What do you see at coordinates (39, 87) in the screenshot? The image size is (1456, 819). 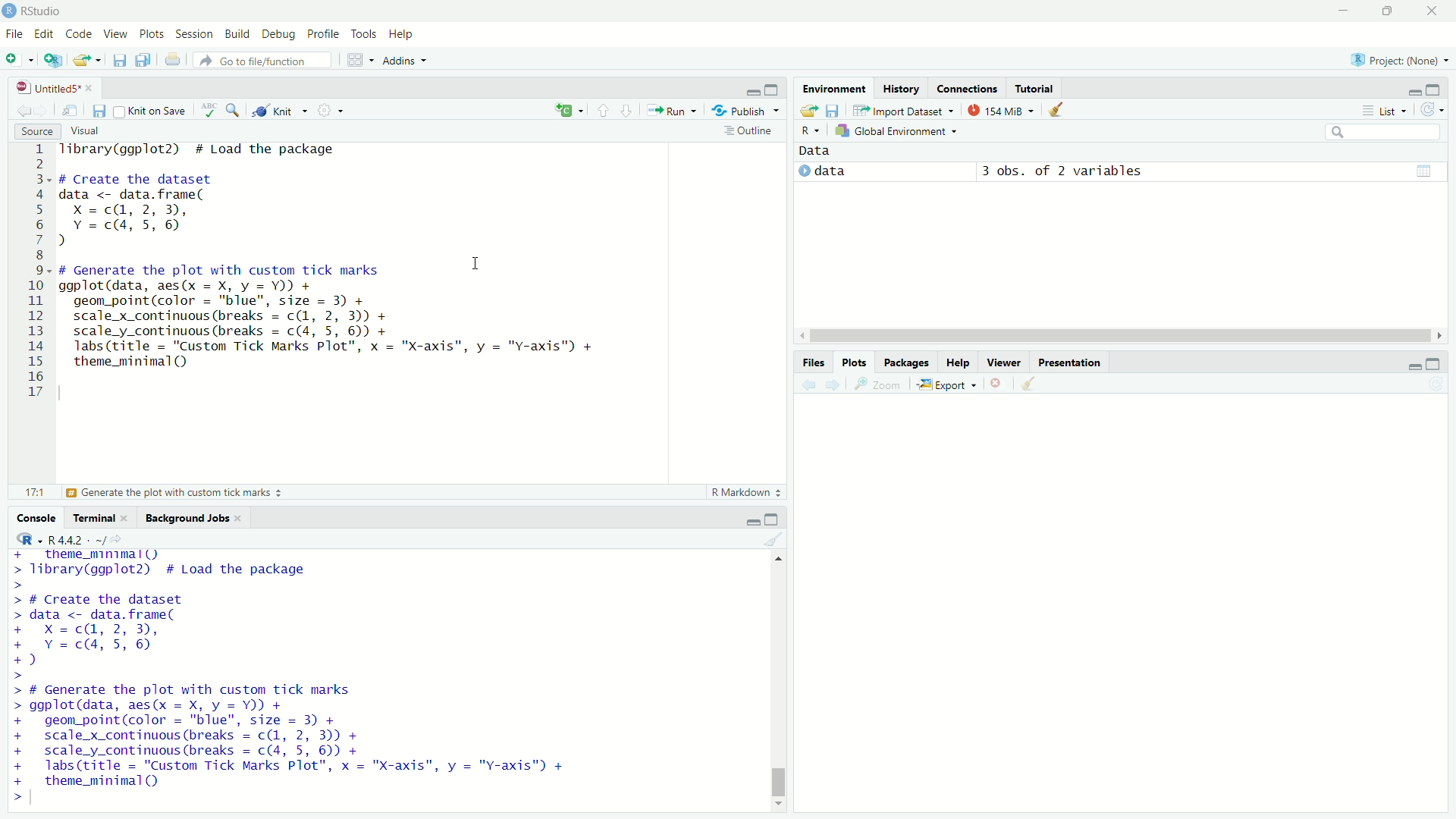 I see `untitled5` at bounding box center [39, 87].